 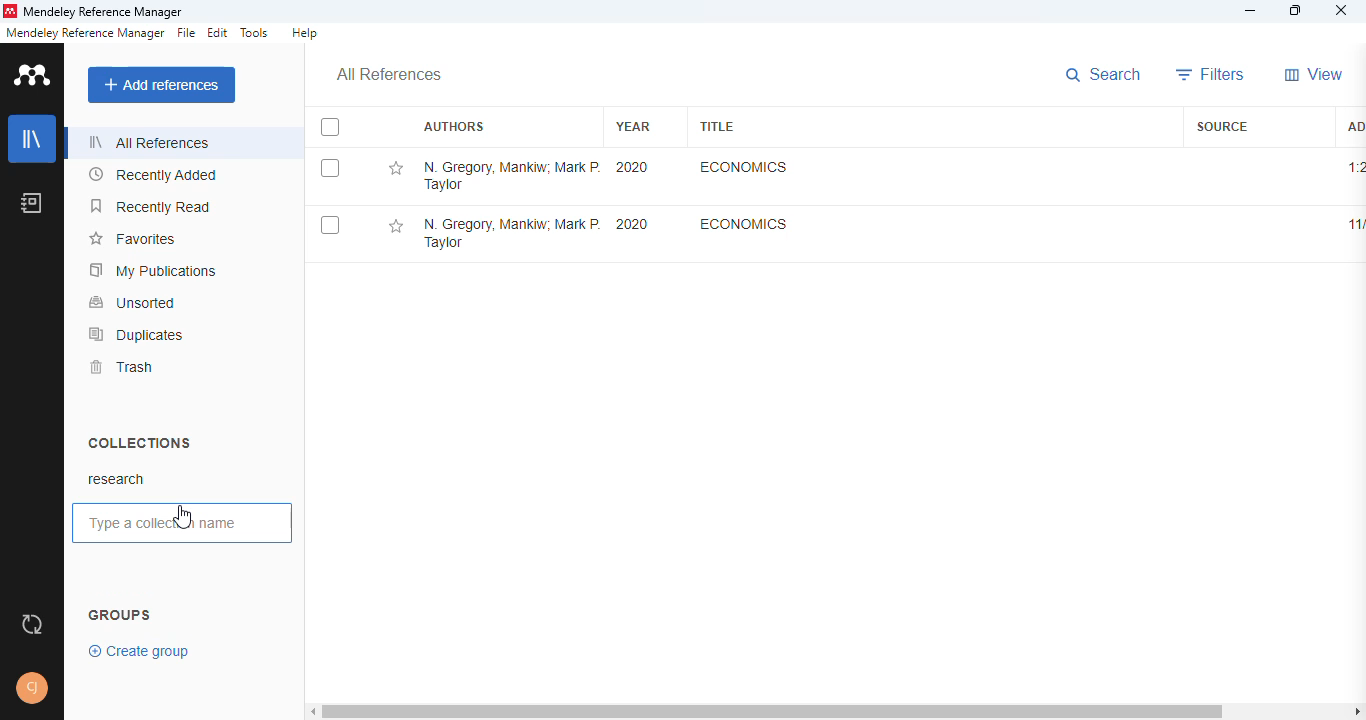 What do you see at coordinates (330, 226) in the screenshot?
I see `select` at bounding box center [330, 226].